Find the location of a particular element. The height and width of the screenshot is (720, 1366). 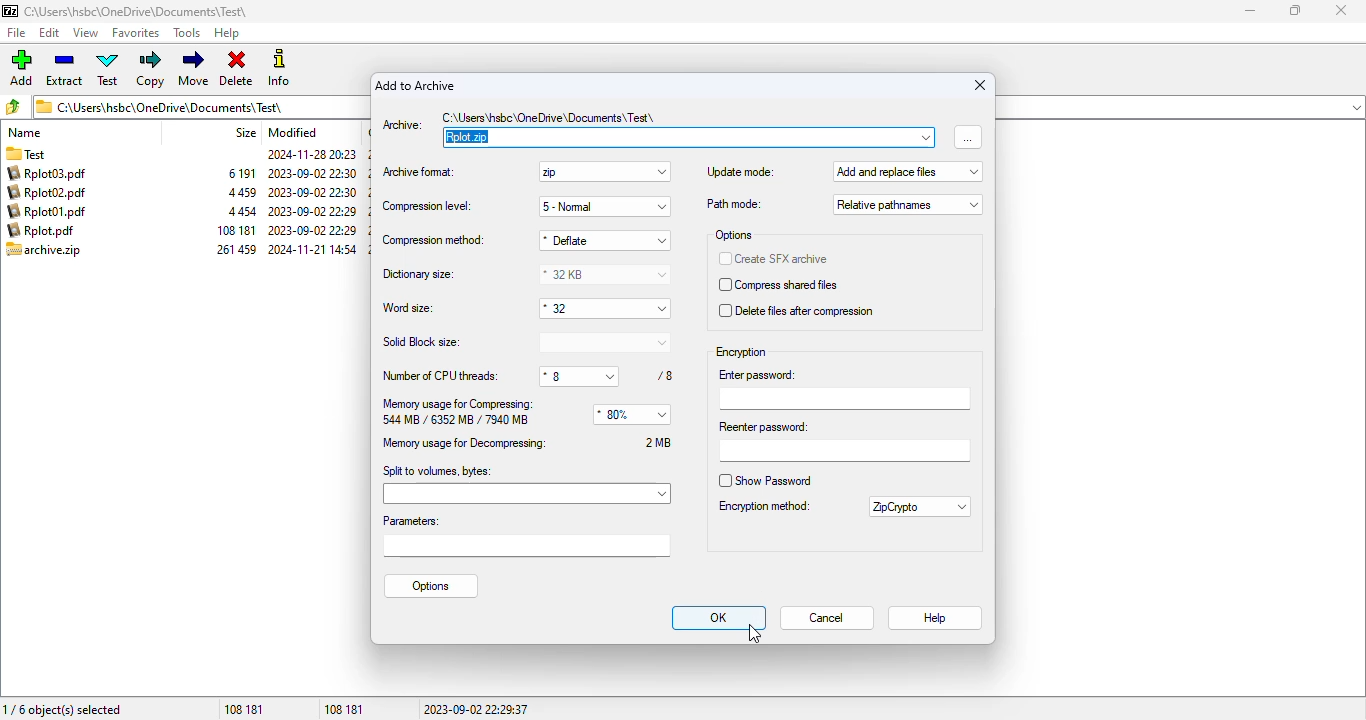

path is located at coordinates (555, 116).